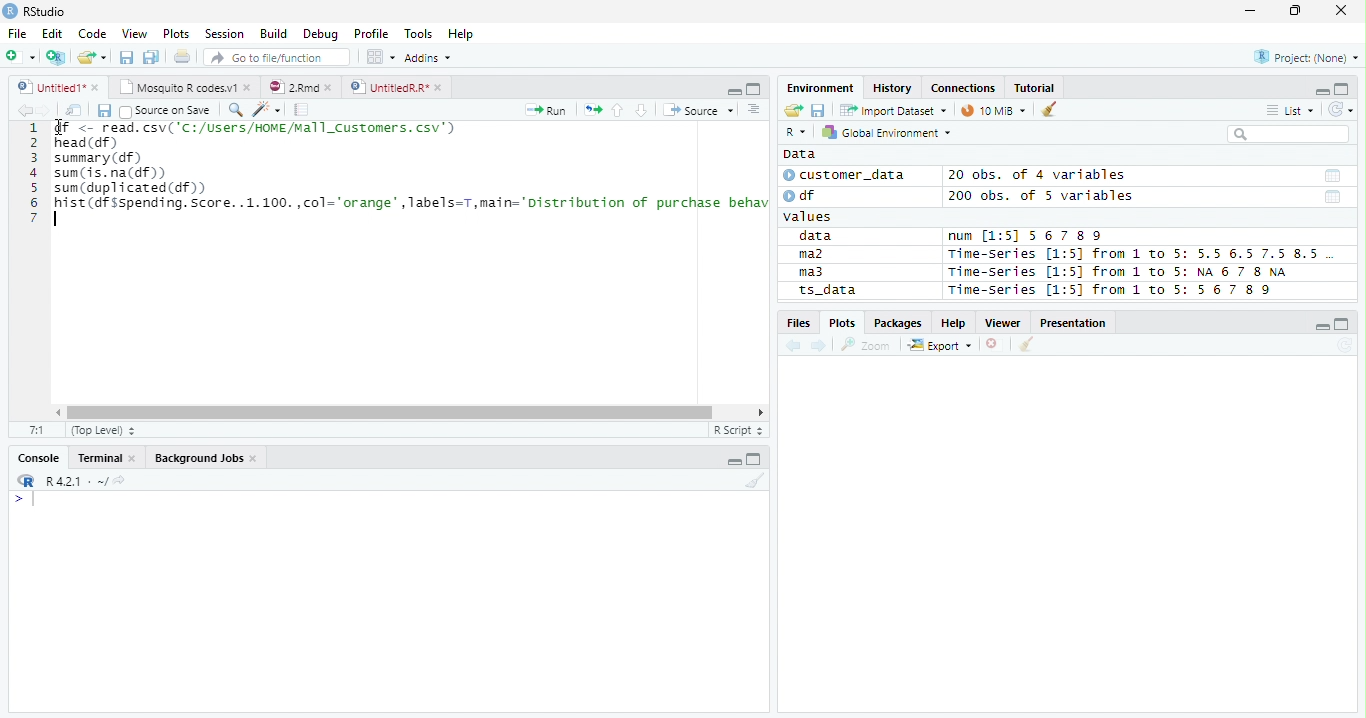 The width and height of the screenshot is (1366, 718). Describe the element at coordinates (422, 32) in the screenshot. I see `Tools` at that location.